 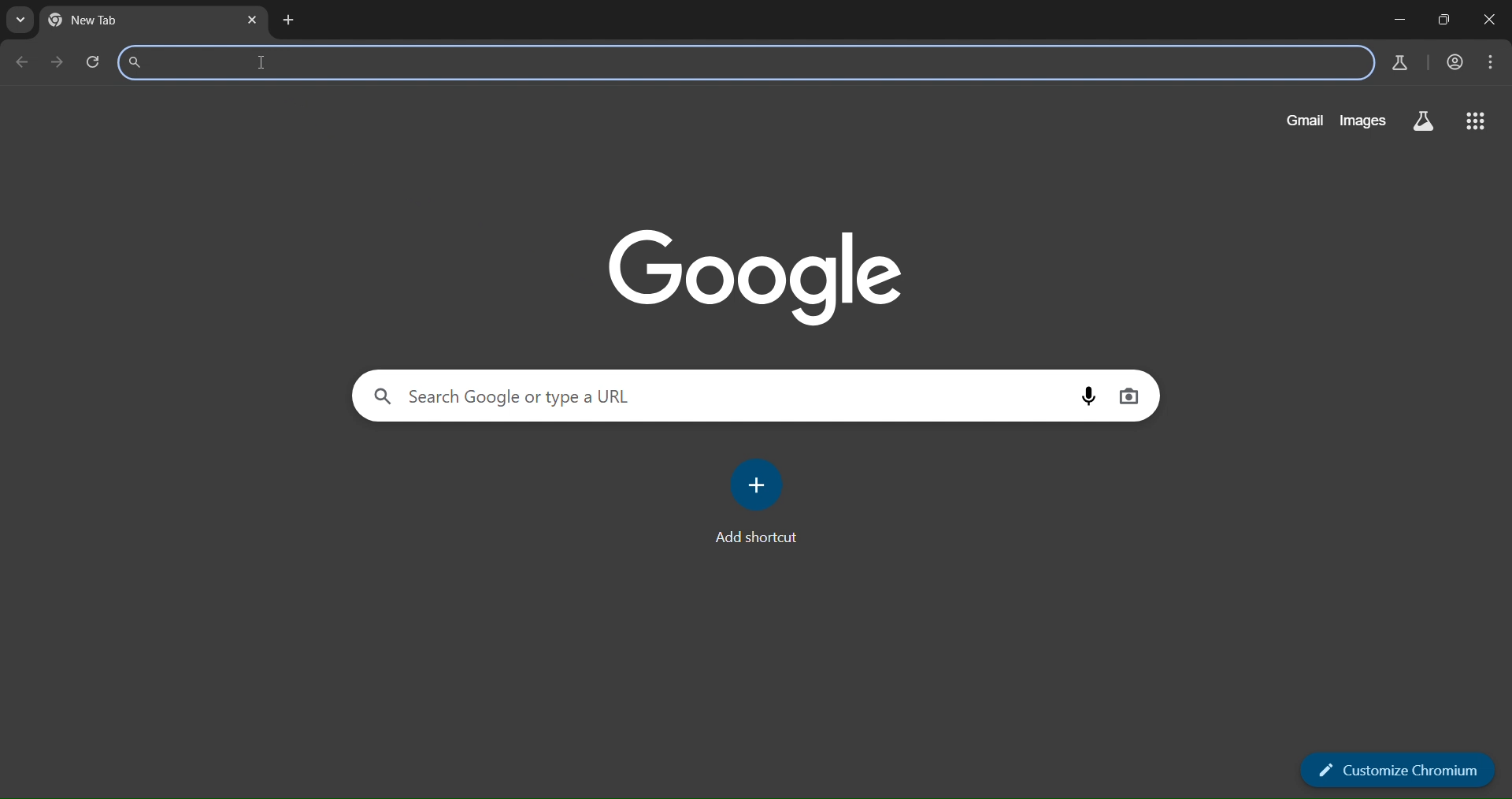 What do you see at coordinates (1494, 62) in the screenshot?
I see `menu` at bounding box center [1494, 62].